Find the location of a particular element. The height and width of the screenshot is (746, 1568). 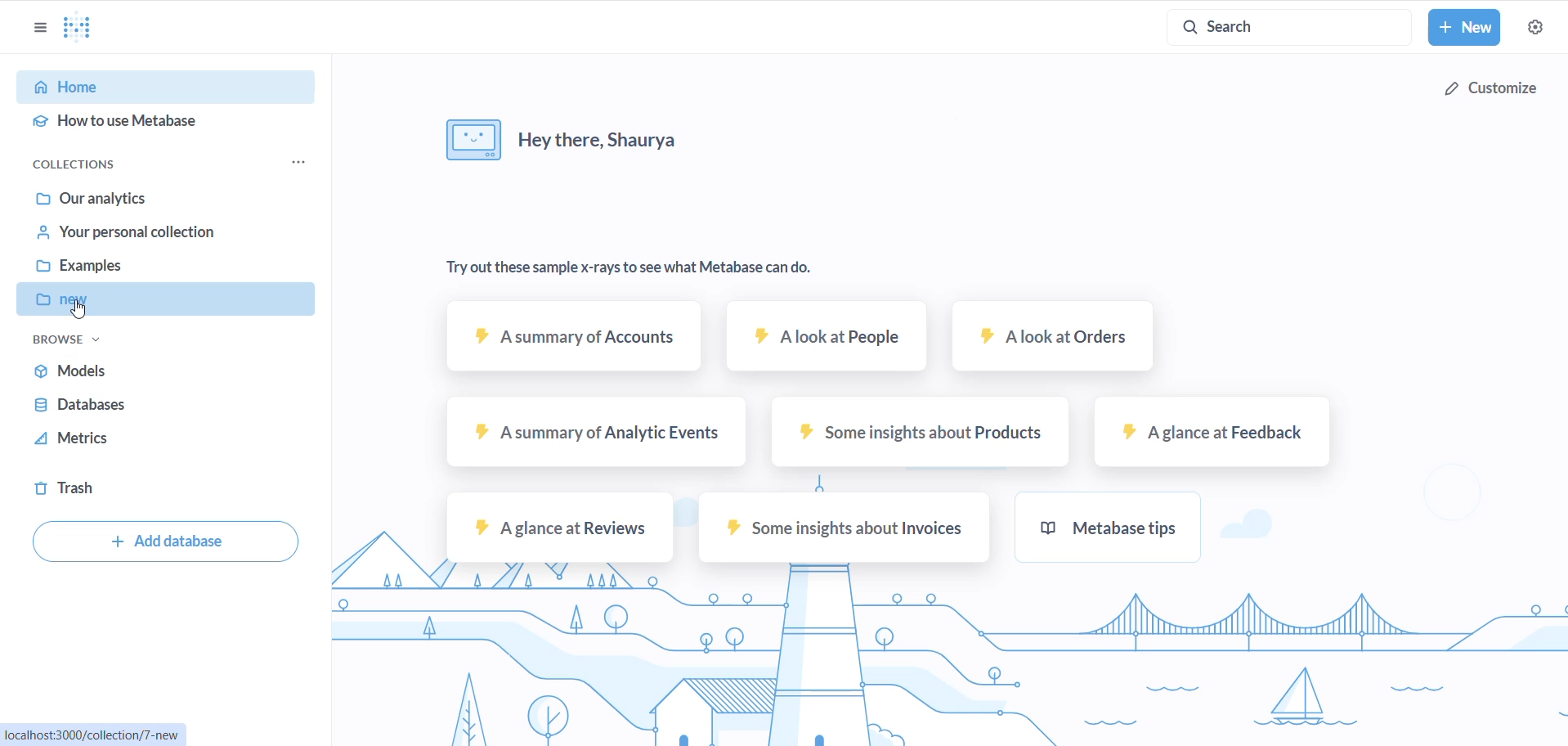

close sidebar is located at coordinates (34, 28).